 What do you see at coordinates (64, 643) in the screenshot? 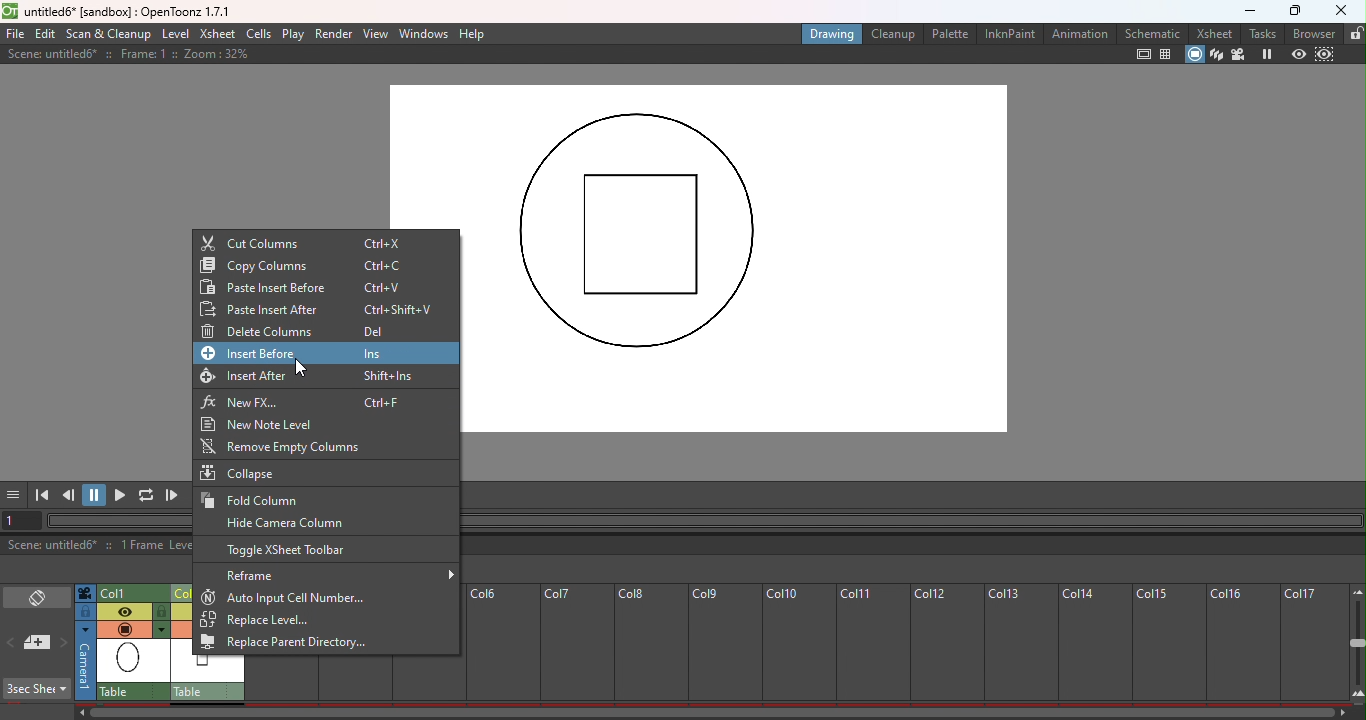
I see `Next memo` at bounding box center [64, 643].